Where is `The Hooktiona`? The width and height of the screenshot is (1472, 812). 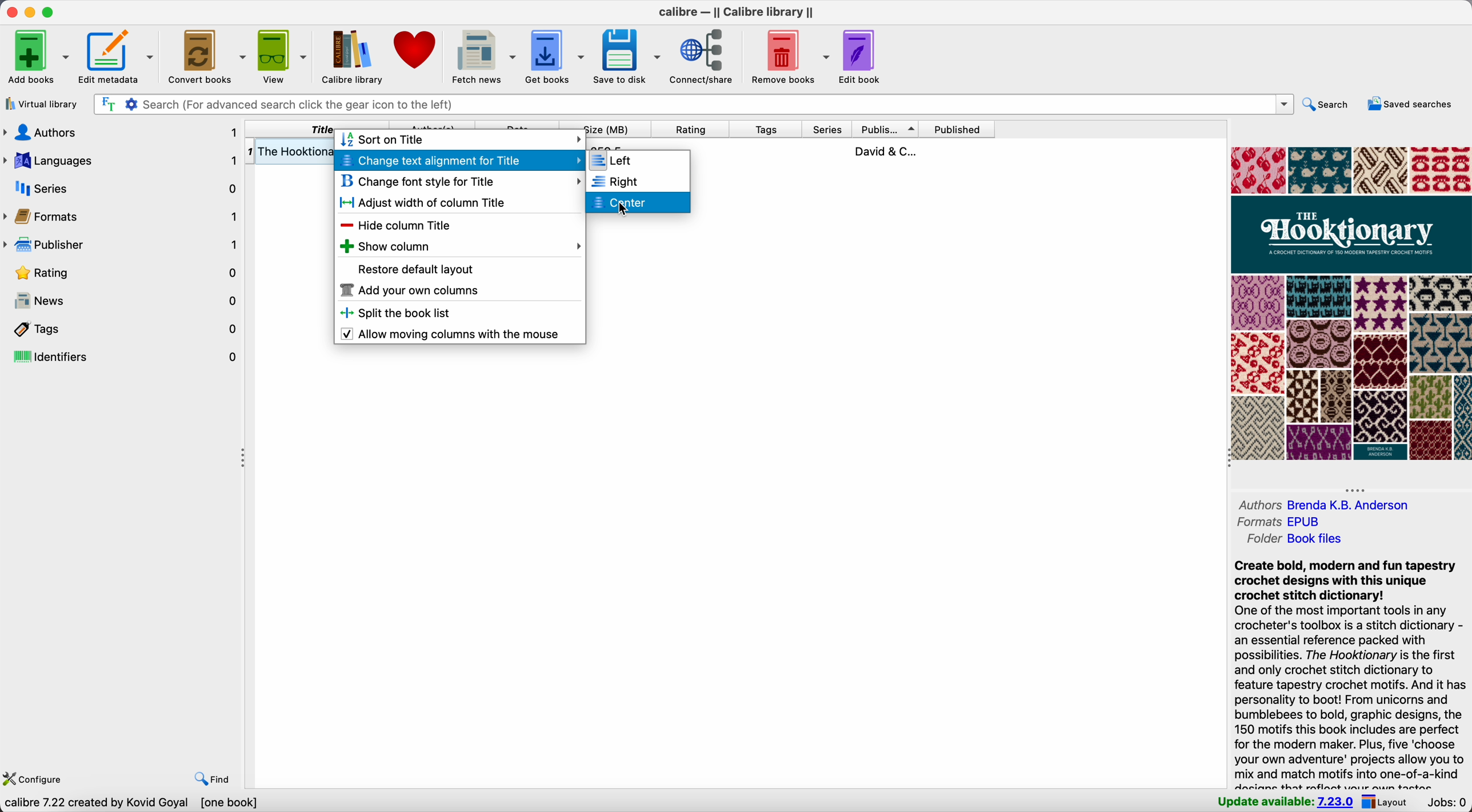 The Hooktiona is located at coordinates (289, 150).